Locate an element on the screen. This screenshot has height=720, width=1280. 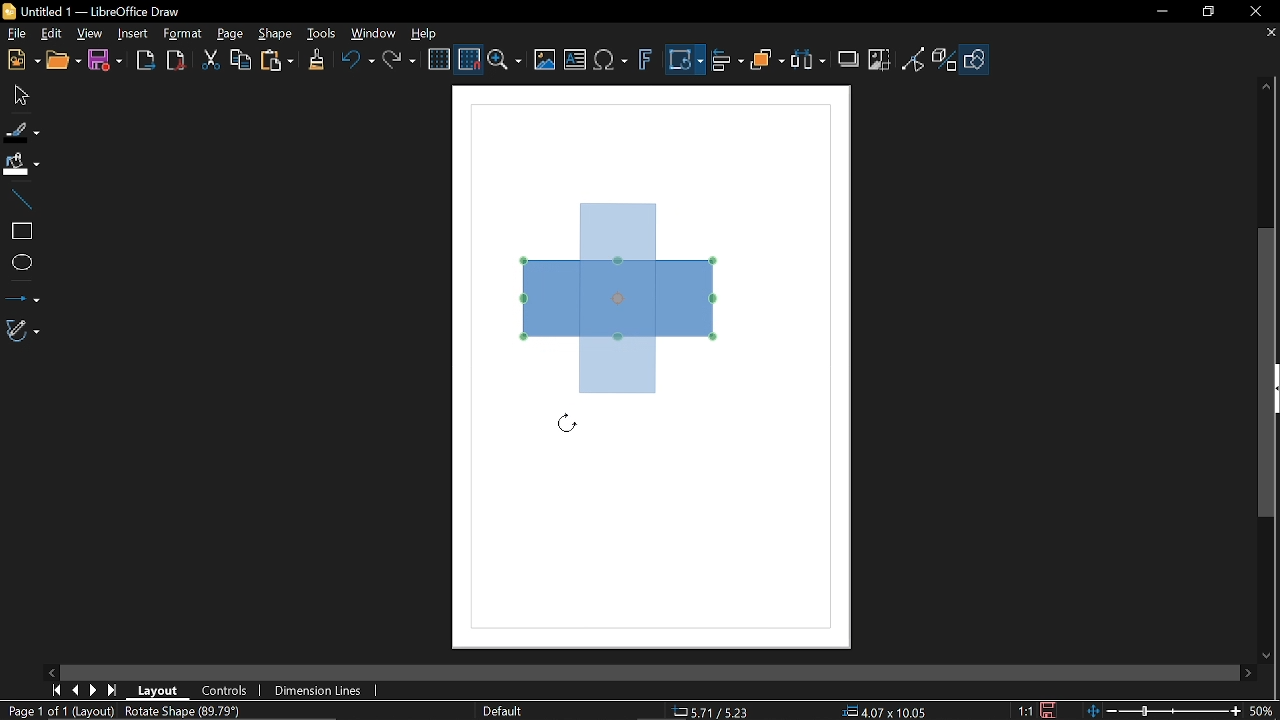
Selelct t least three objects to distribute is located at coordinates (808, 61).